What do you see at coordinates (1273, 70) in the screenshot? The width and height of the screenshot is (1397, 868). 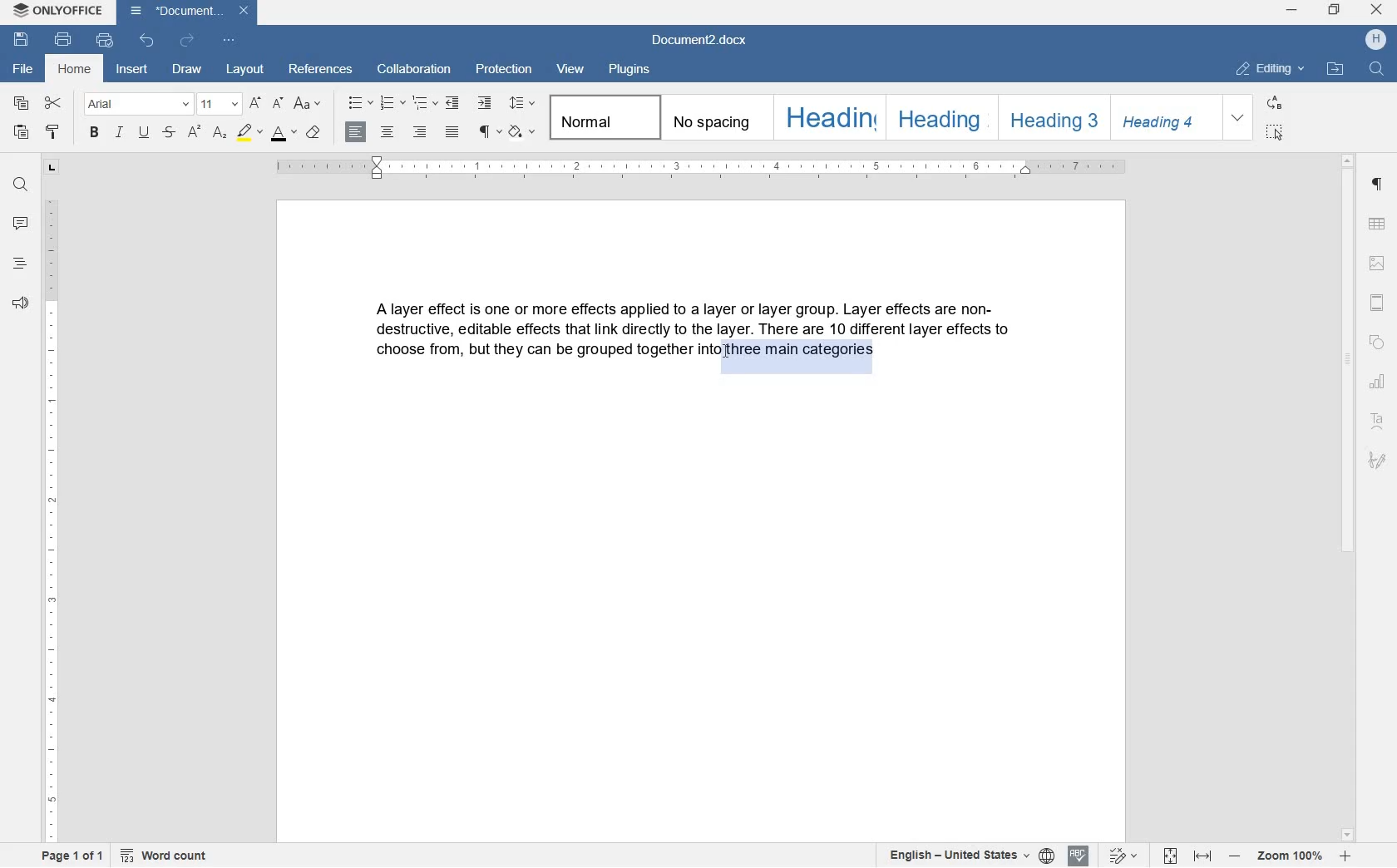 I see `editing` at bounding box center [1273, 70].